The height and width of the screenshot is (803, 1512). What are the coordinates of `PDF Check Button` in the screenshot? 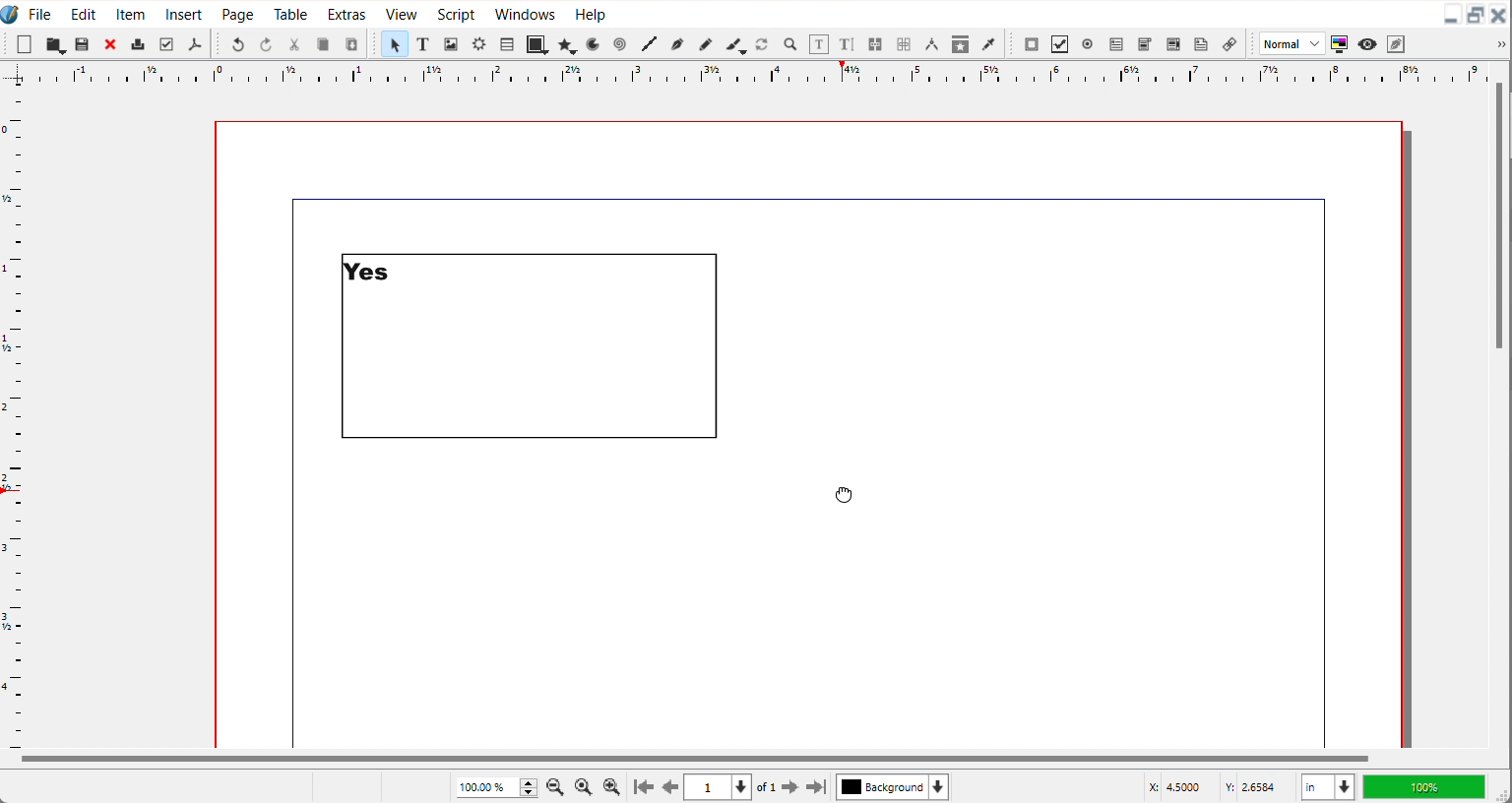 It's located at (1059, 44).